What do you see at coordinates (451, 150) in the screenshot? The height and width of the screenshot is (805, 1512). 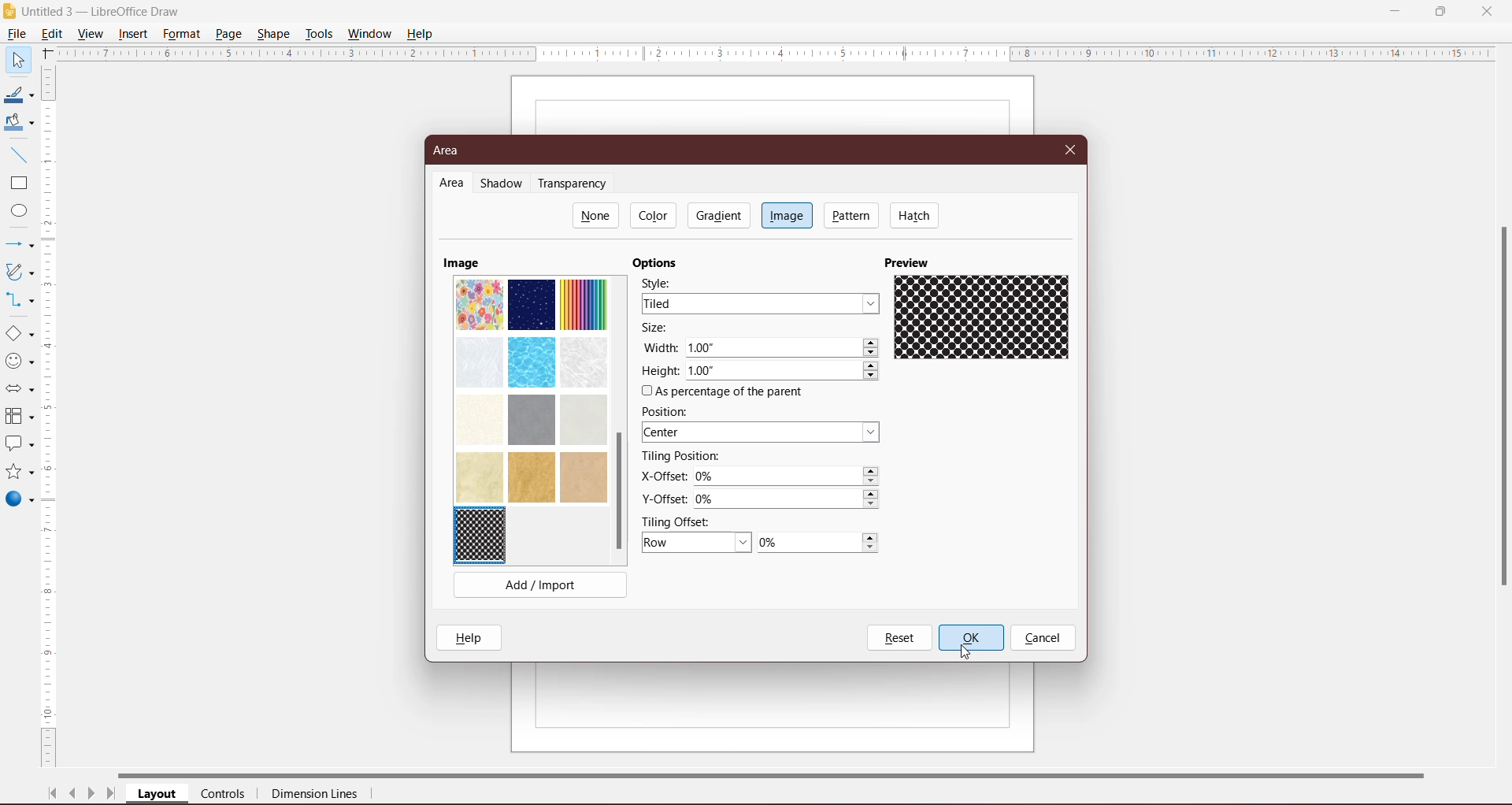 I see `Area` at bounding box center [451, 150].